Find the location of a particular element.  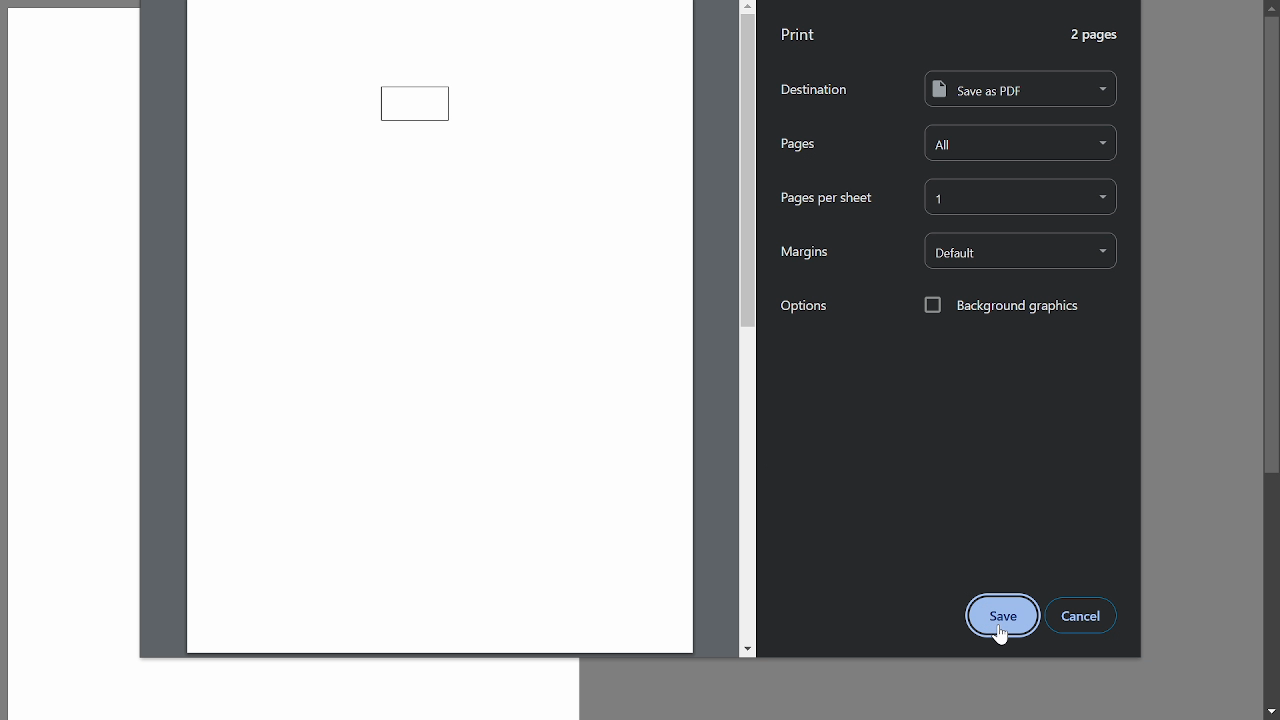

save is located at coordinates (1005, 614).